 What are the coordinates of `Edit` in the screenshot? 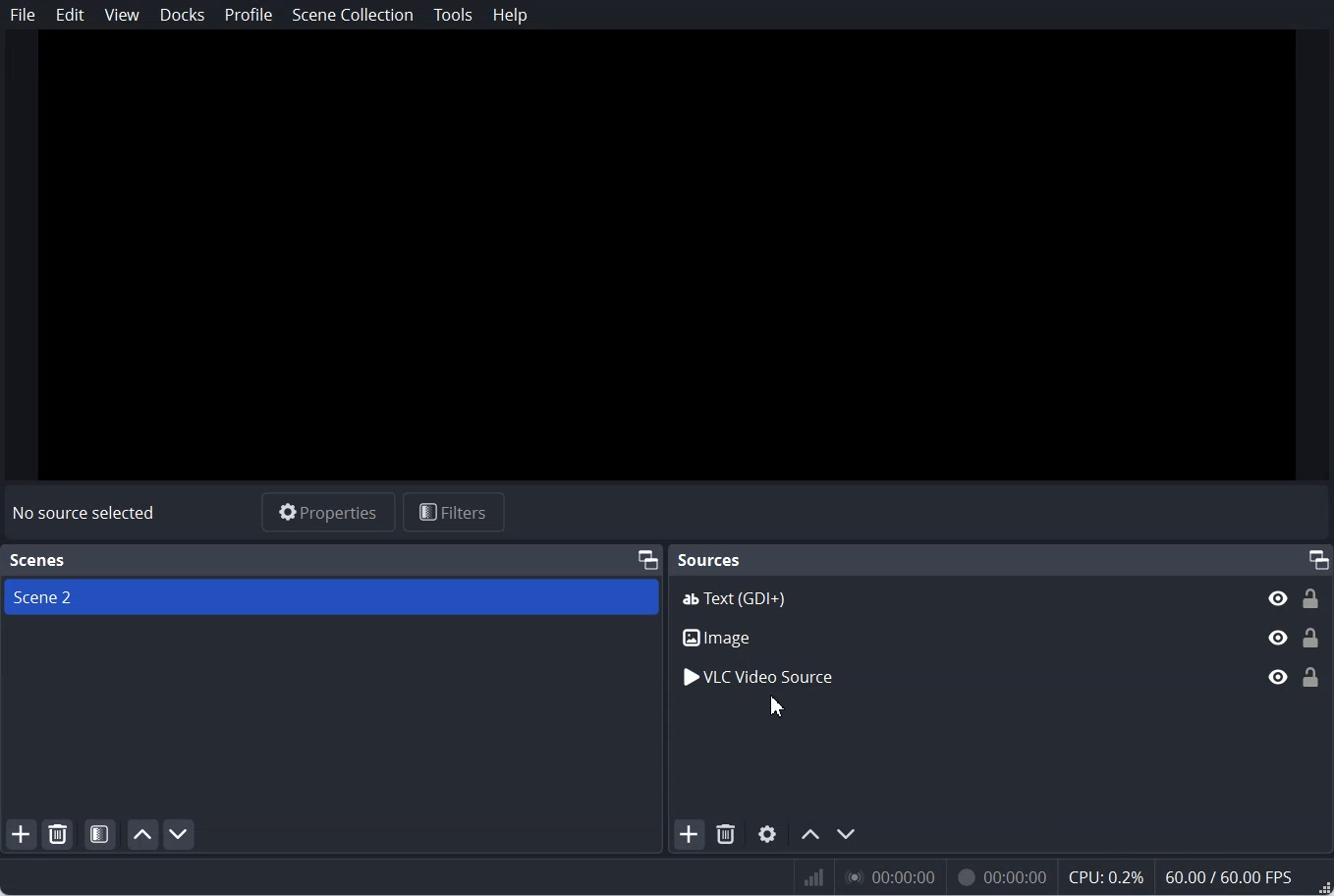 It's located at (71, 15).